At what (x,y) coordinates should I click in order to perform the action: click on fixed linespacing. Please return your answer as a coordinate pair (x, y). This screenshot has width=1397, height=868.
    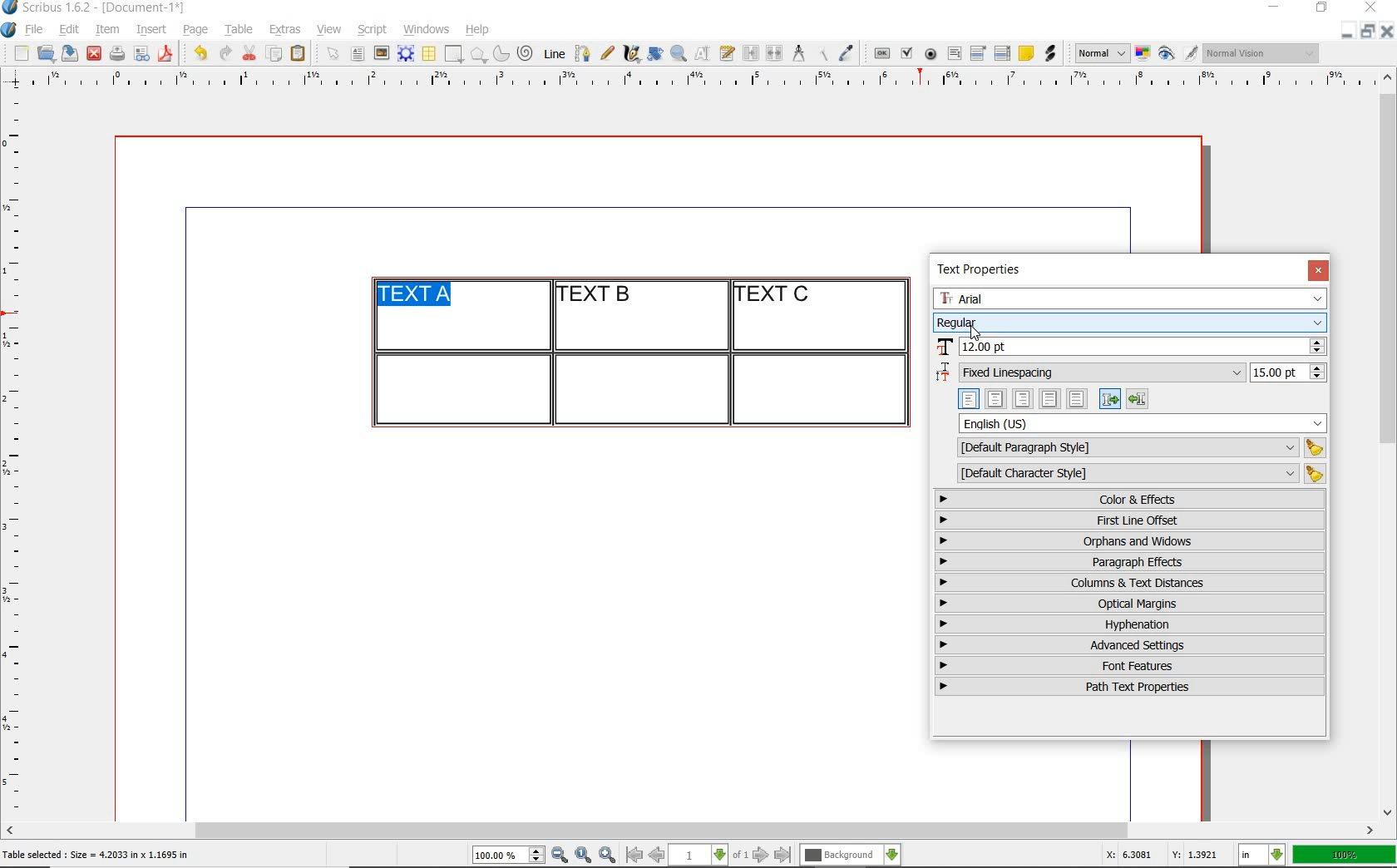
    Looking at the image, I should click on (1131, 373).